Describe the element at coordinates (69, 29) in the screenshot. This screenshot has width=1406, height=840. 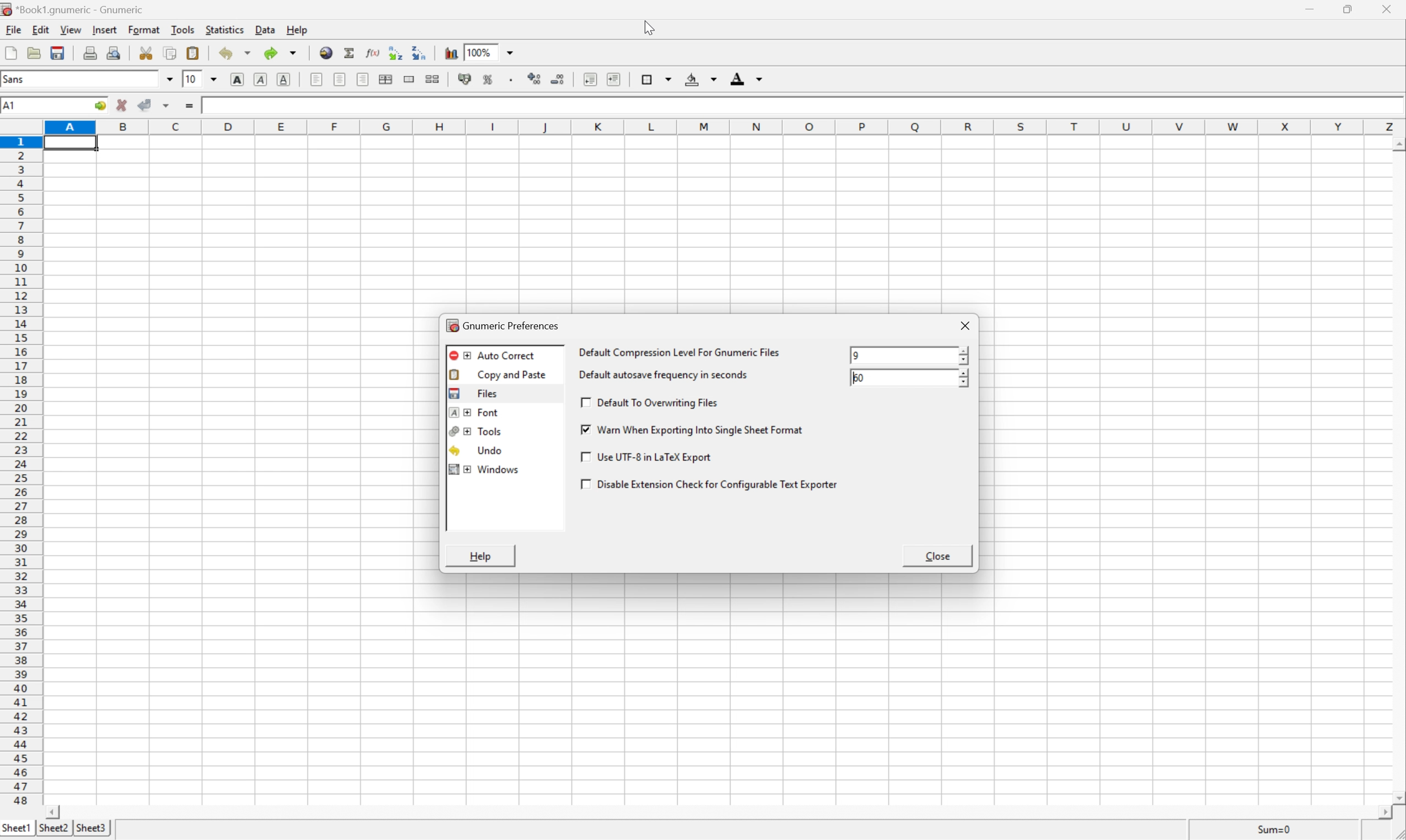
I see `view` at that location.